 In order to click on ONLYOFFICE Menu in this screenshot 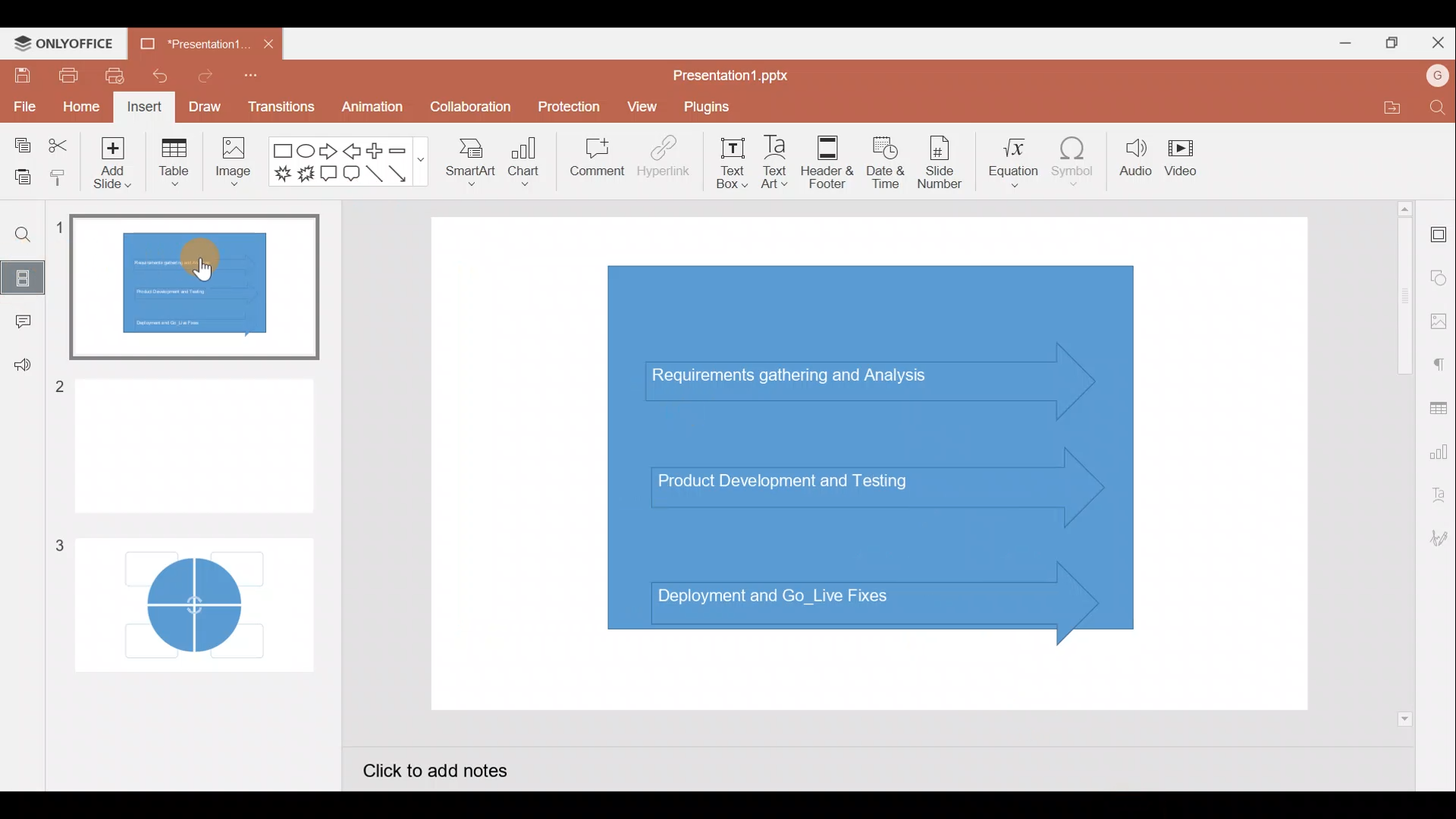, I will do `click(72, 44)`.